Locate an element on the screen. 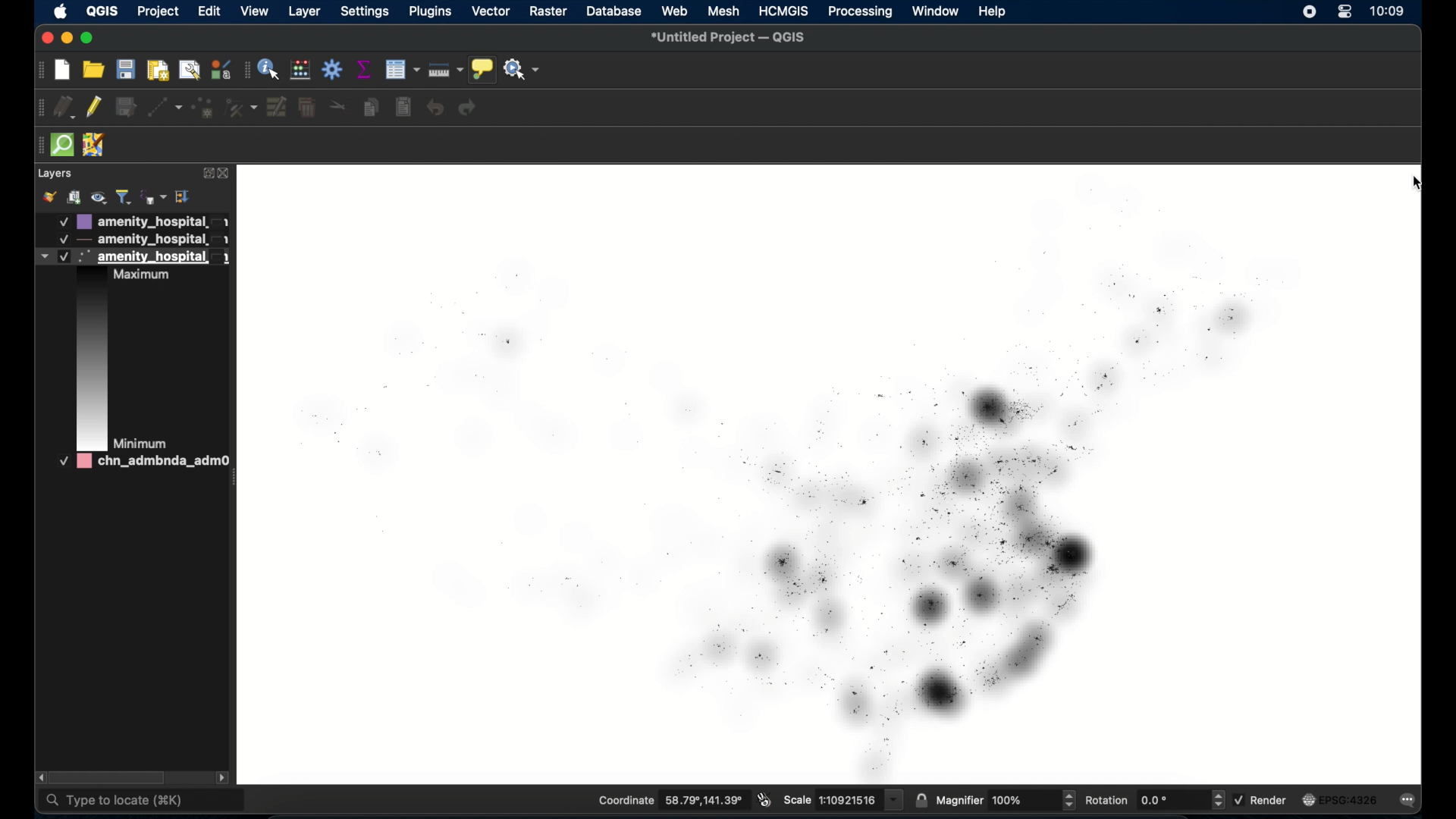  undo is located at coordinates (436, 108).